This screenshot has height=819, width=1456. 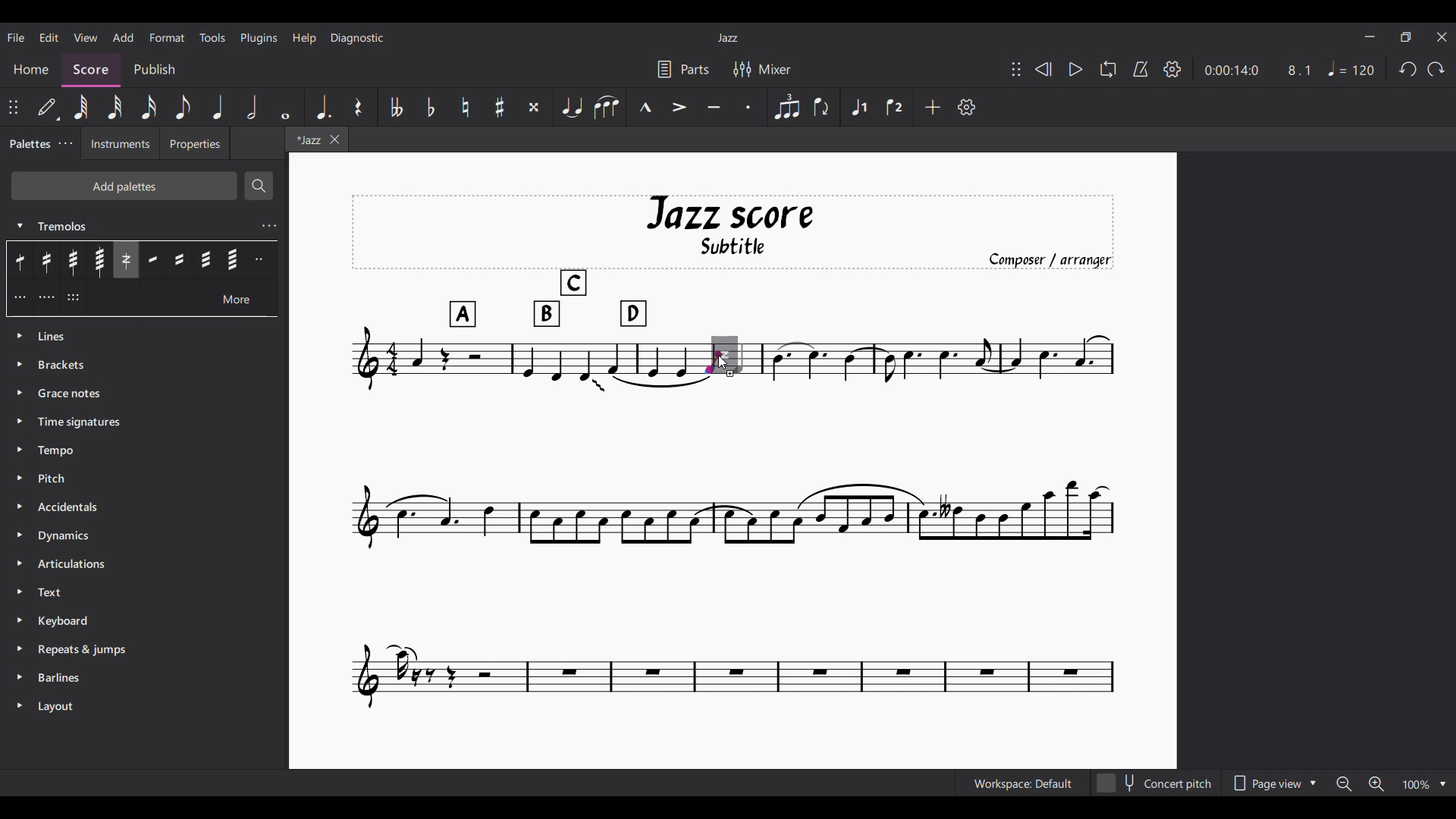 What do you see at coordinates (269, 226) in the screenshot?
I see `Tremolos settings` at bounding box center [269, 226].